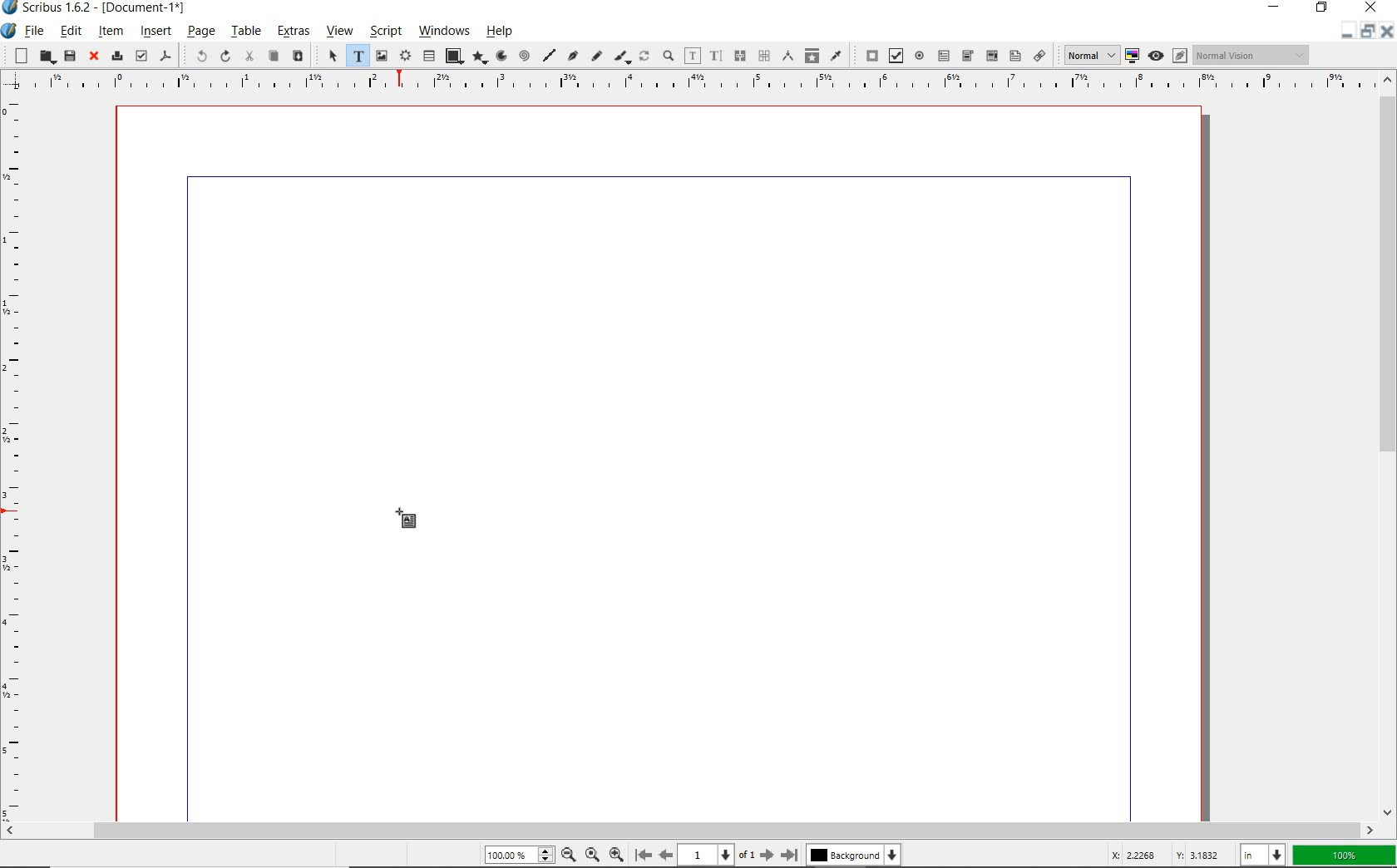 The width and height of the screenshot is (1397, 868). What do you see at coordinates (245, 32) in the screenshot?
I see `table` at bounding box center [245, 32].